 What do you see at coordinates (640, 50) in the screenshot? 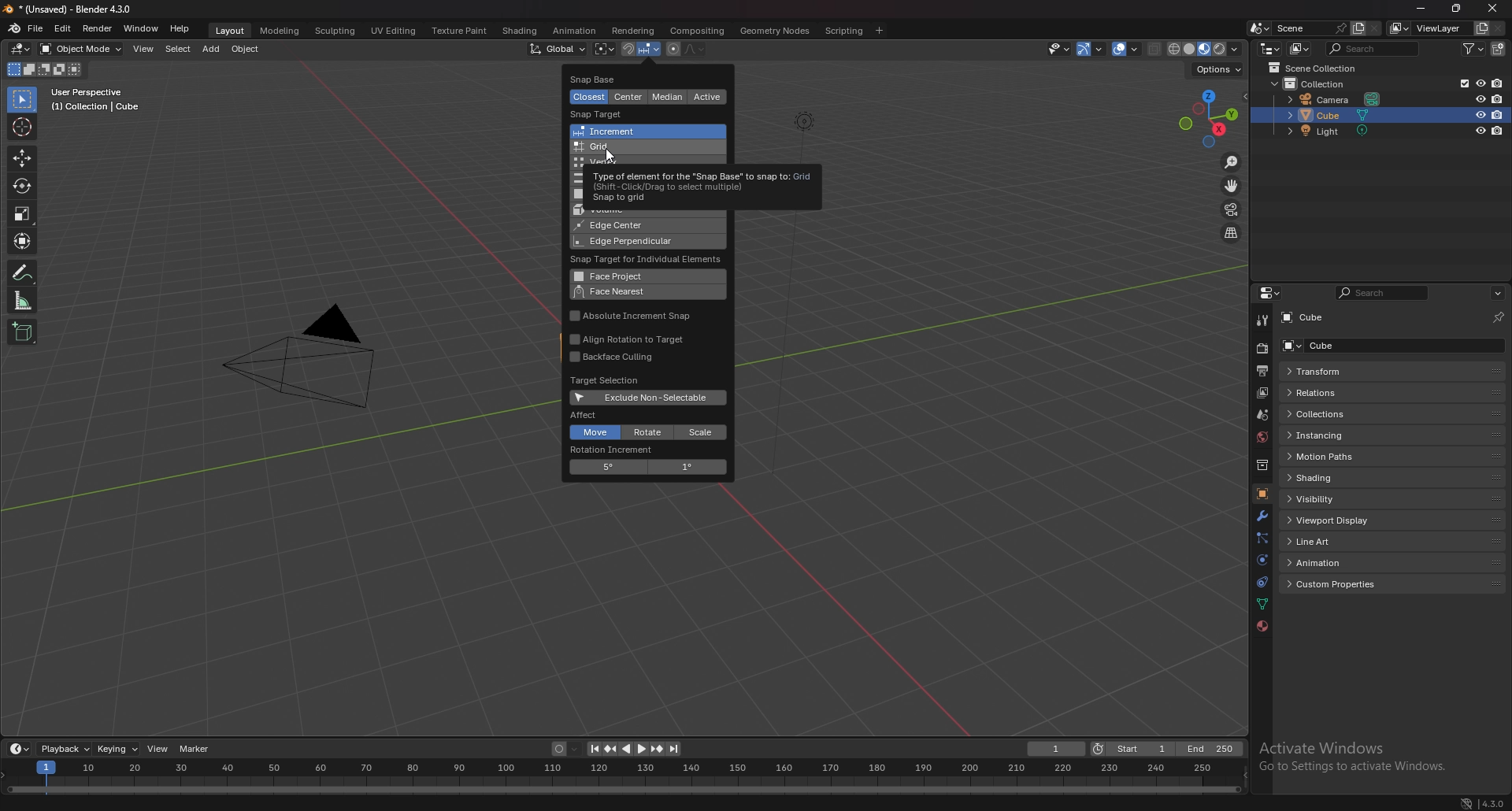
I see `snapping` at bounding box center [640, 50].